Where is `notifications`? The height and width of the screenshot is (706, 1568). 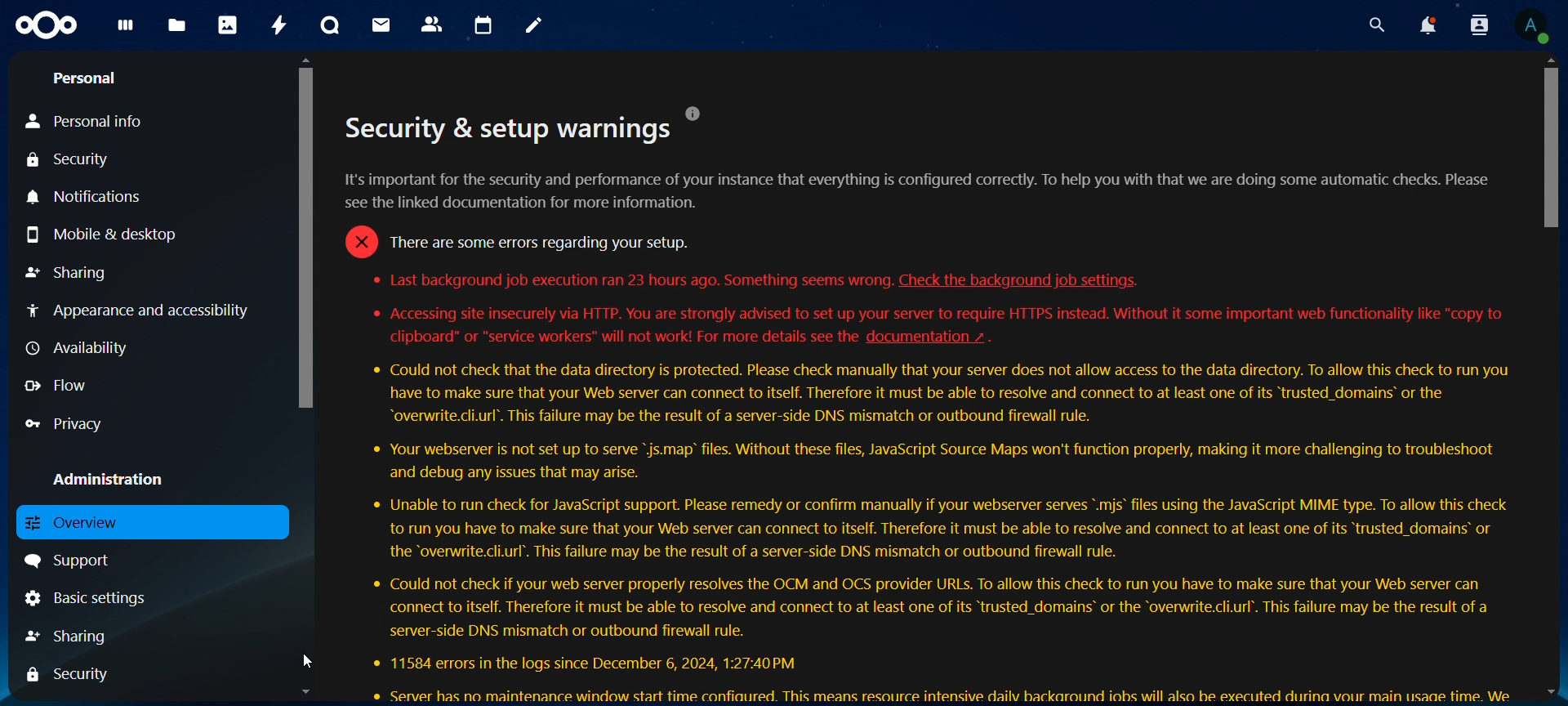 notifications is located at coordinates (1430, 29).